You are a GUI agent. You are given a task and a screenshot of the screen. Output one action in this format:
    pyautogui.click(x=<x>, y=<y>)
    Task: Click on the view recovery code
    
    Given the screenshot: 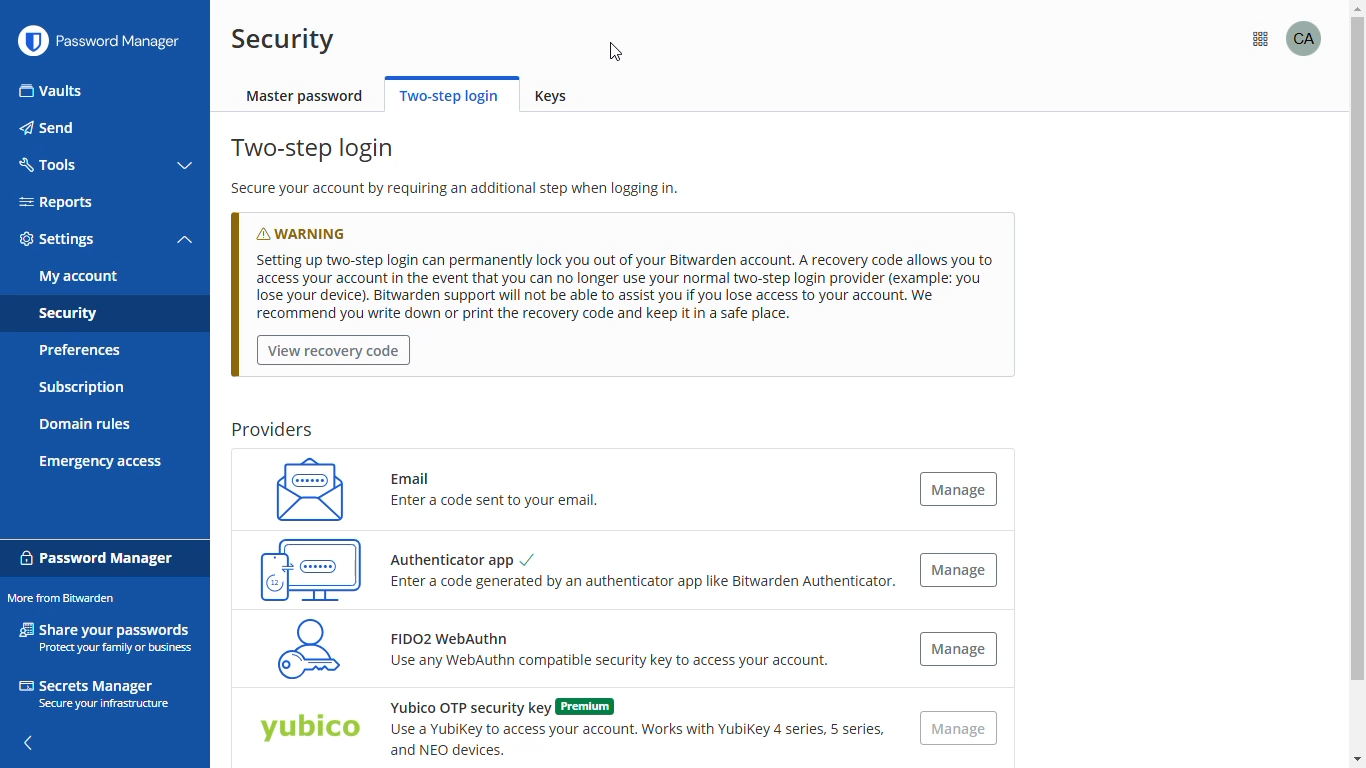 What is the action you would take?
    pyautogui.click(x=334, y=351)
    